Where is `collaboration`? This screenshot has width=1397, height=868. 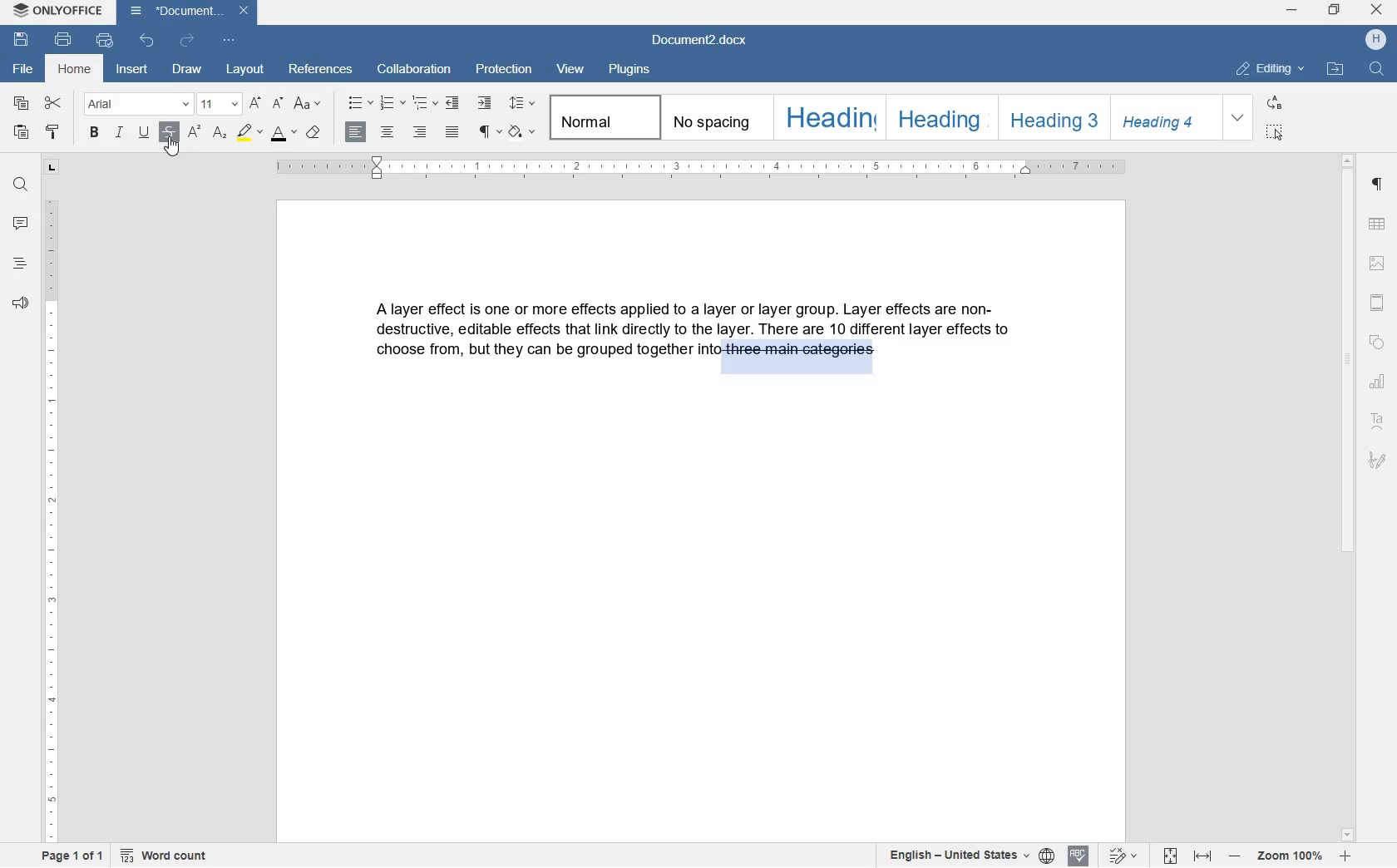 collaboration is located at coordinates (414, 70).